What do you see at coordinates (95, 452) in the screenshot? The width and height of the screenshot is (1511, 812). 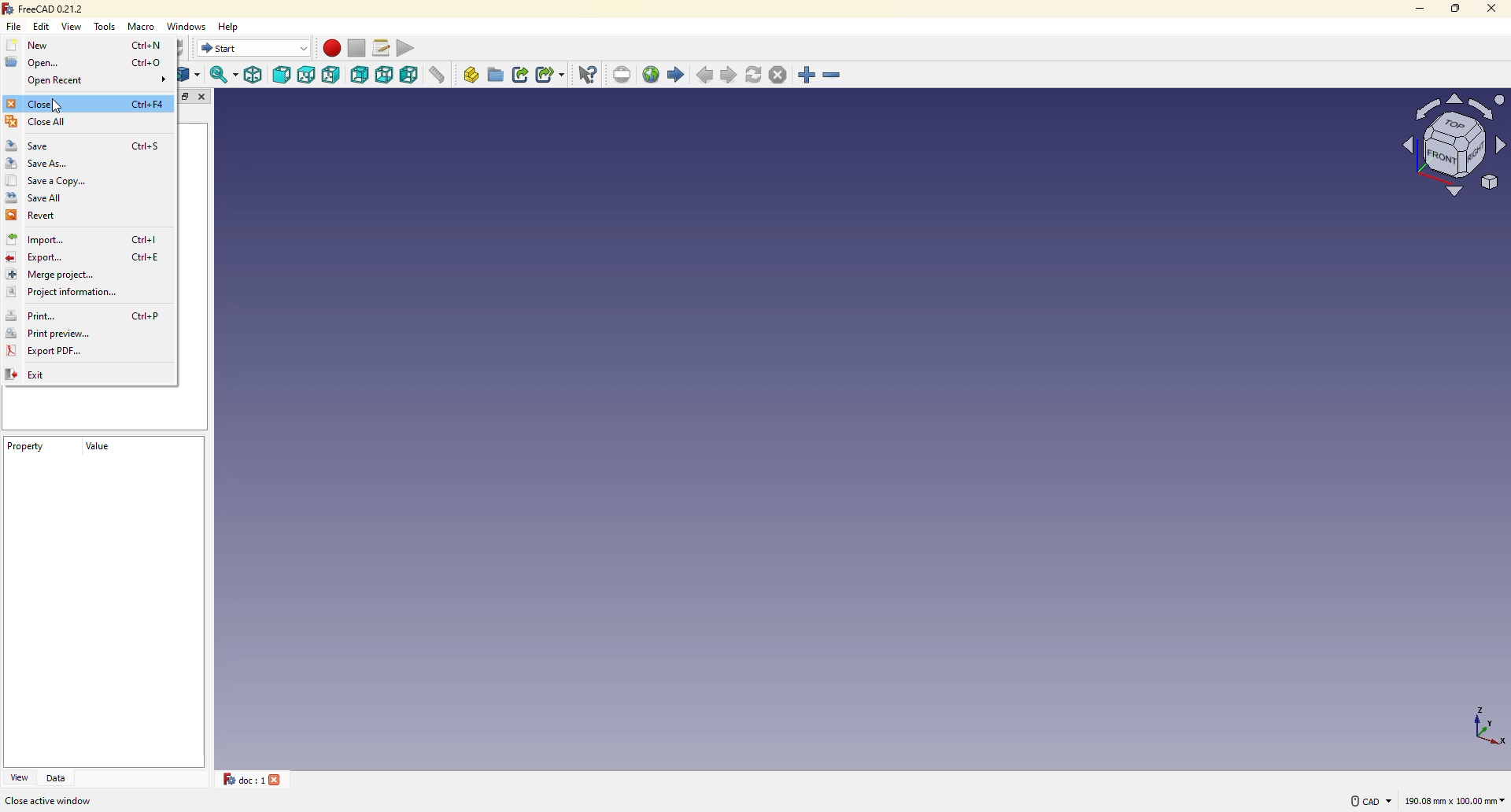 I see `value` at bounding box center [95, 452].